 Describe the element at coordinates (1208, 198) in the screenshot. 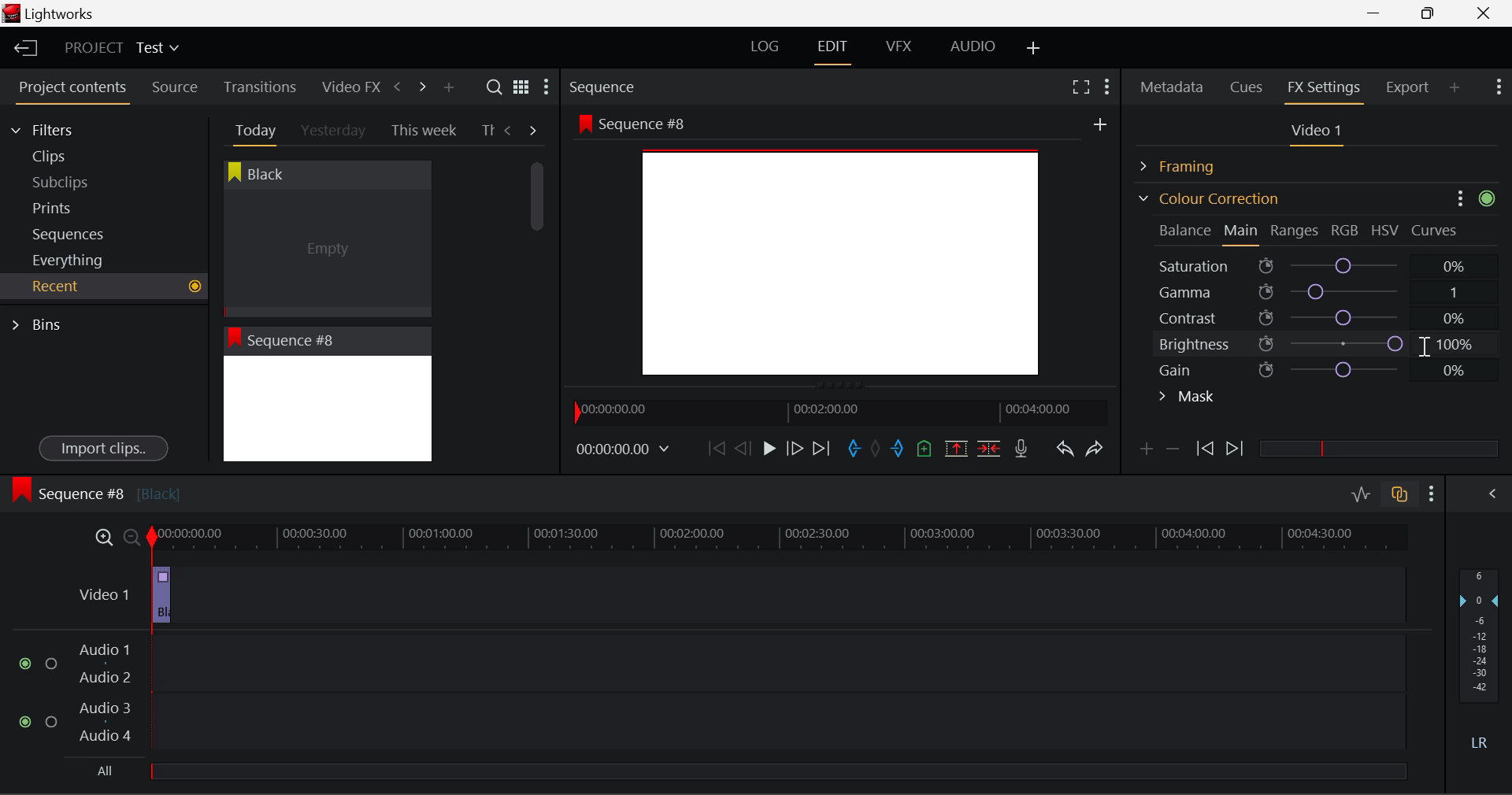

I see `Colour Correction` at that location.